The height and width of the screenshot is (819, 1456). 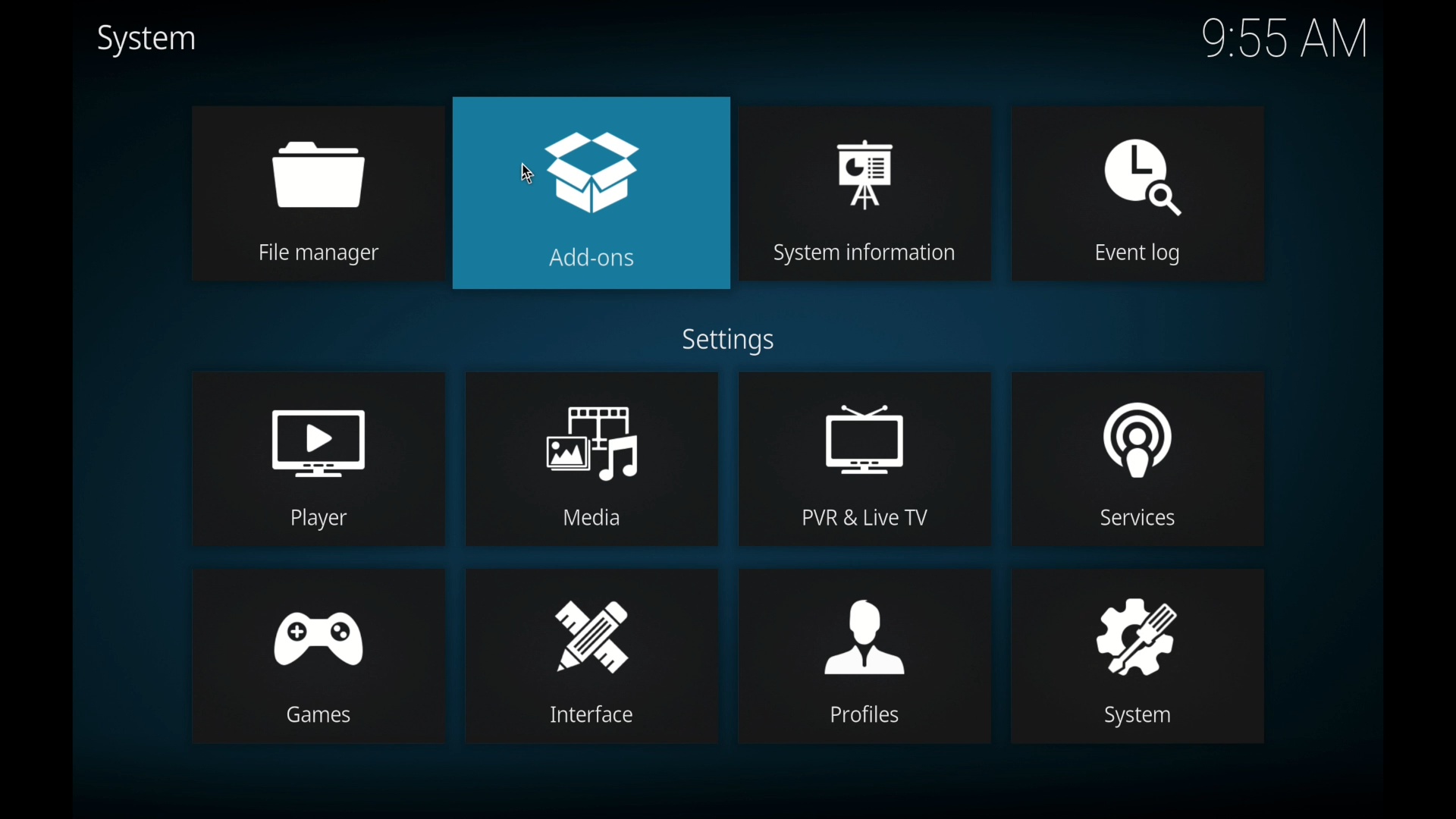 What do you see at coordinates (591, 460) in the screenshot?
I see `media` at bounding box center [591, 460].